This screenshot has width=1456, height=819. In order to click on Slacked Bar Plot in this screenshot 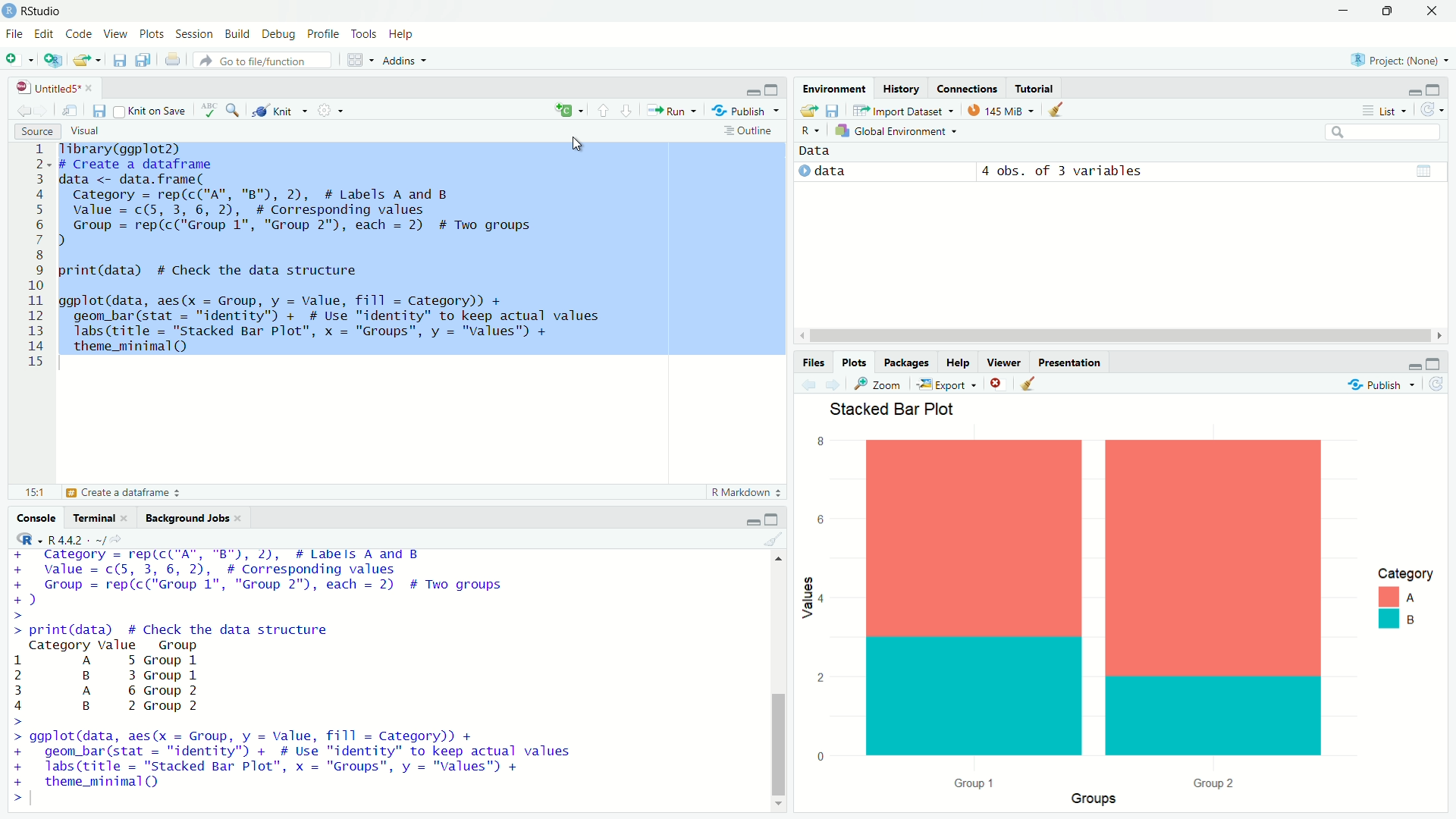, I will do `click(893, 408)`.